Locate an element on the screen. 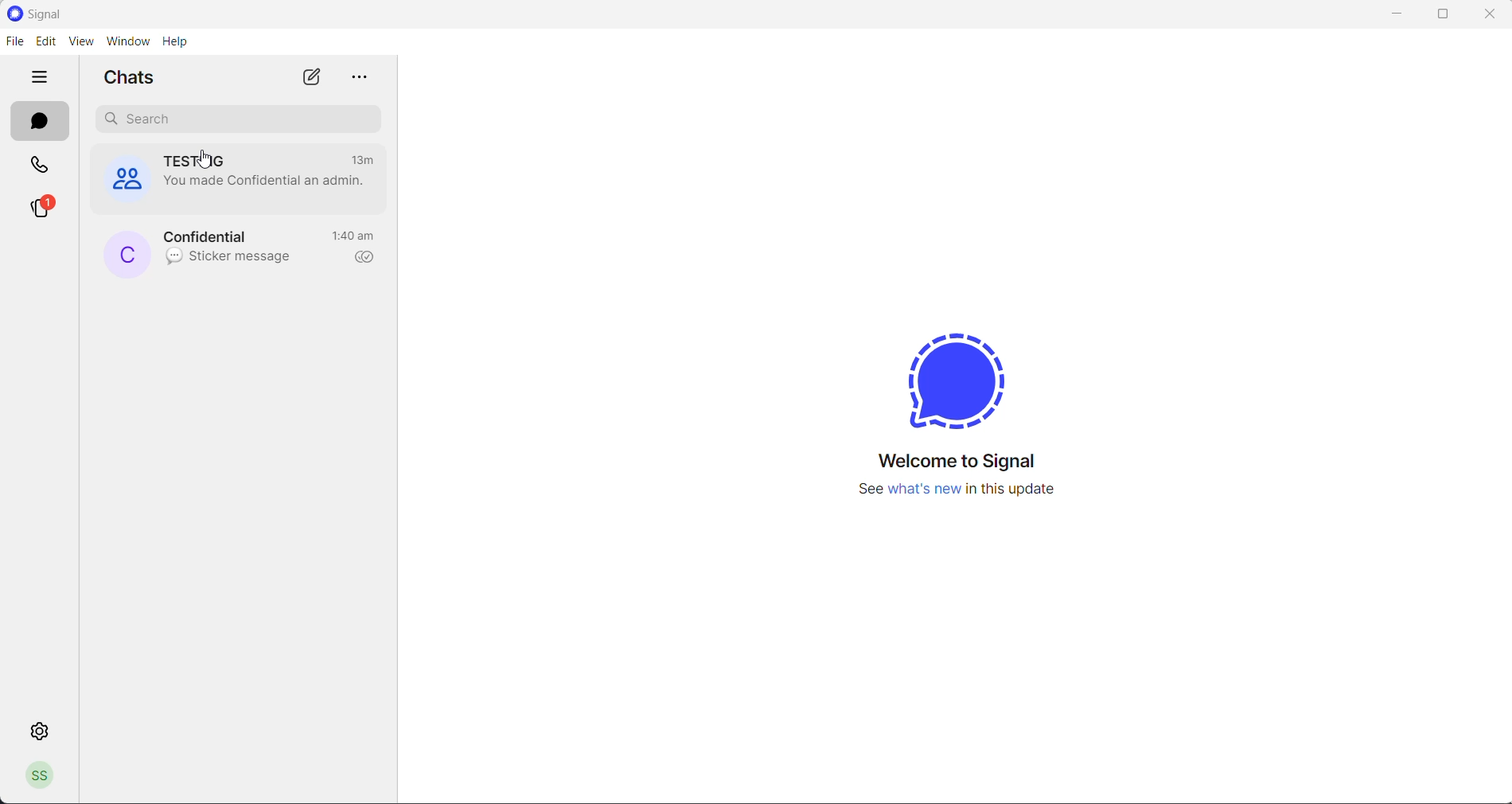 The height and width of the screenshot is (804, 1512). admin change notification is located at coordinates (265, 186).